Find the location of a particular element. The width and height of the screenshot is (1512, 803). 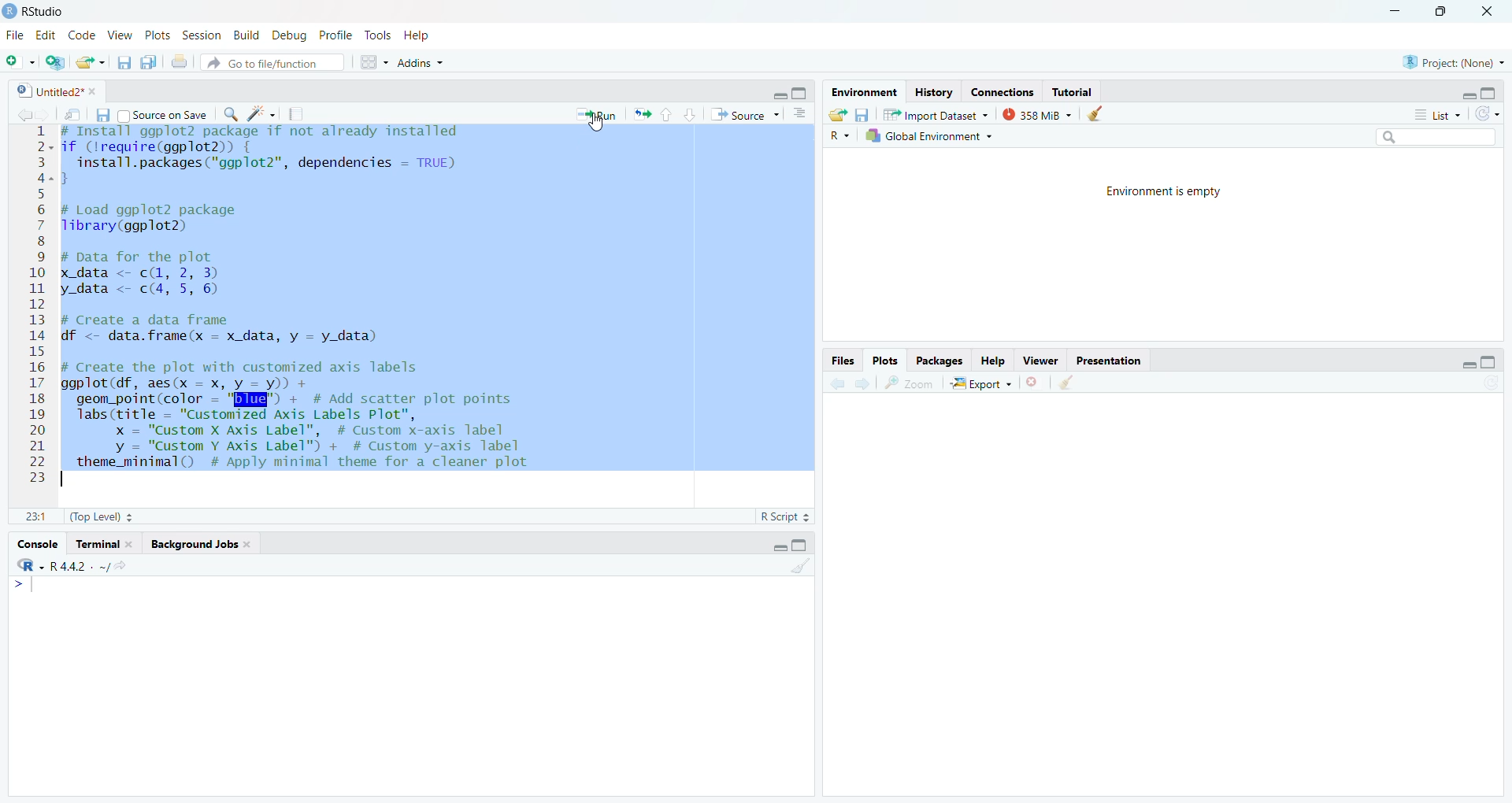

Help is located at coordinates (994, 361).